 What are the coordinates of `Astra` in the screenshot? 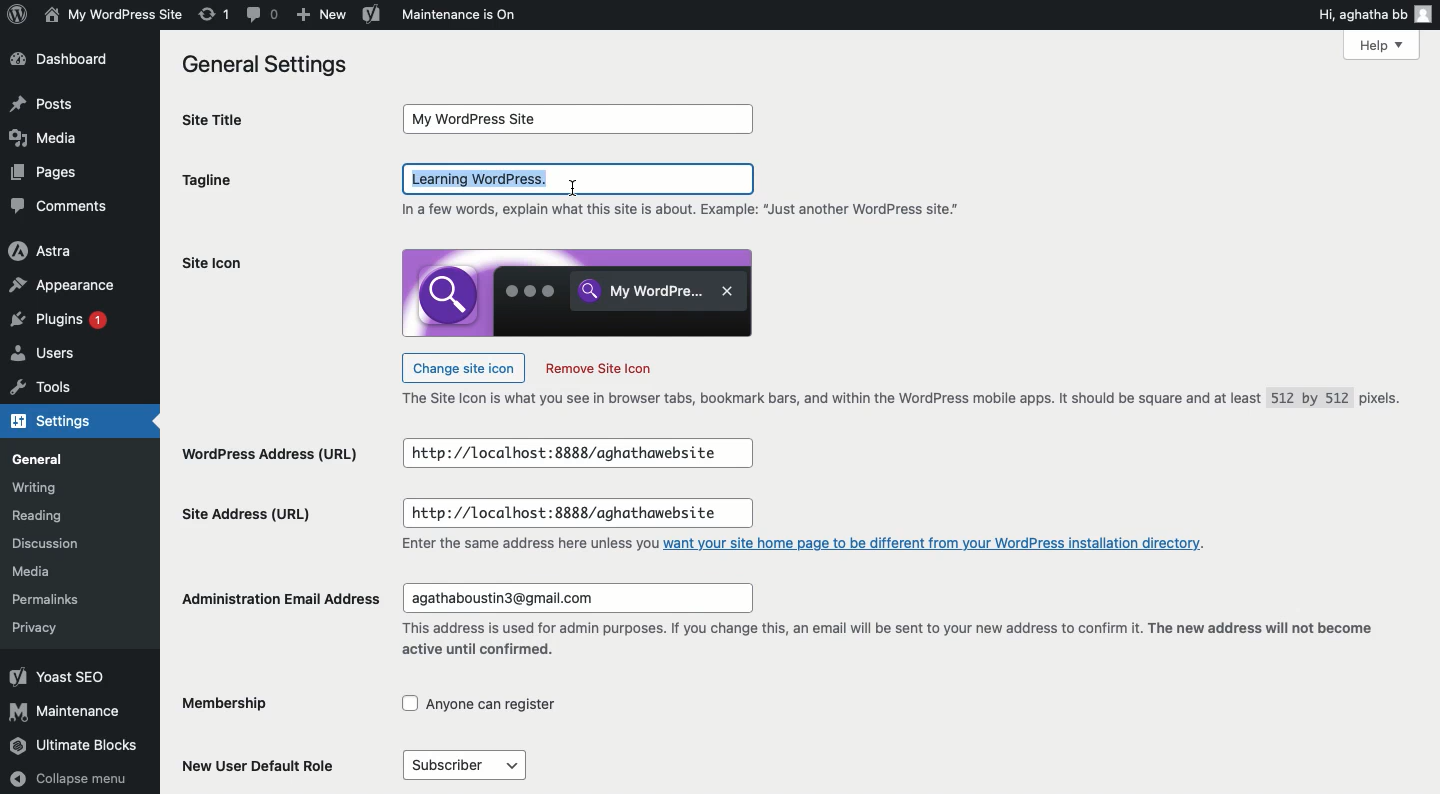 It's located at (42, 252).